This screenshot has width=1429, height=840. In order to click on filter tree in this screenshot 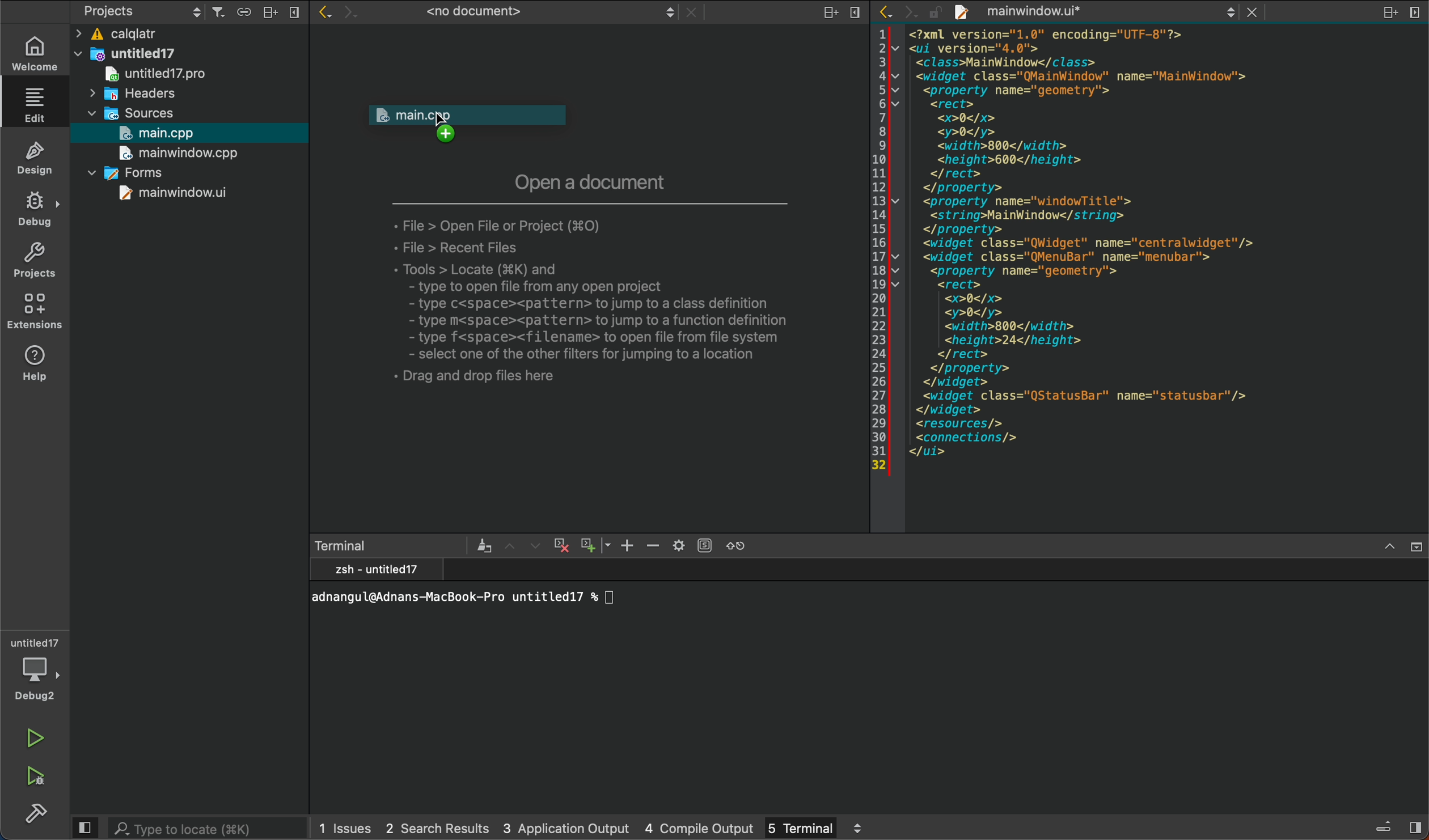, I will do `click(219, 13)`.